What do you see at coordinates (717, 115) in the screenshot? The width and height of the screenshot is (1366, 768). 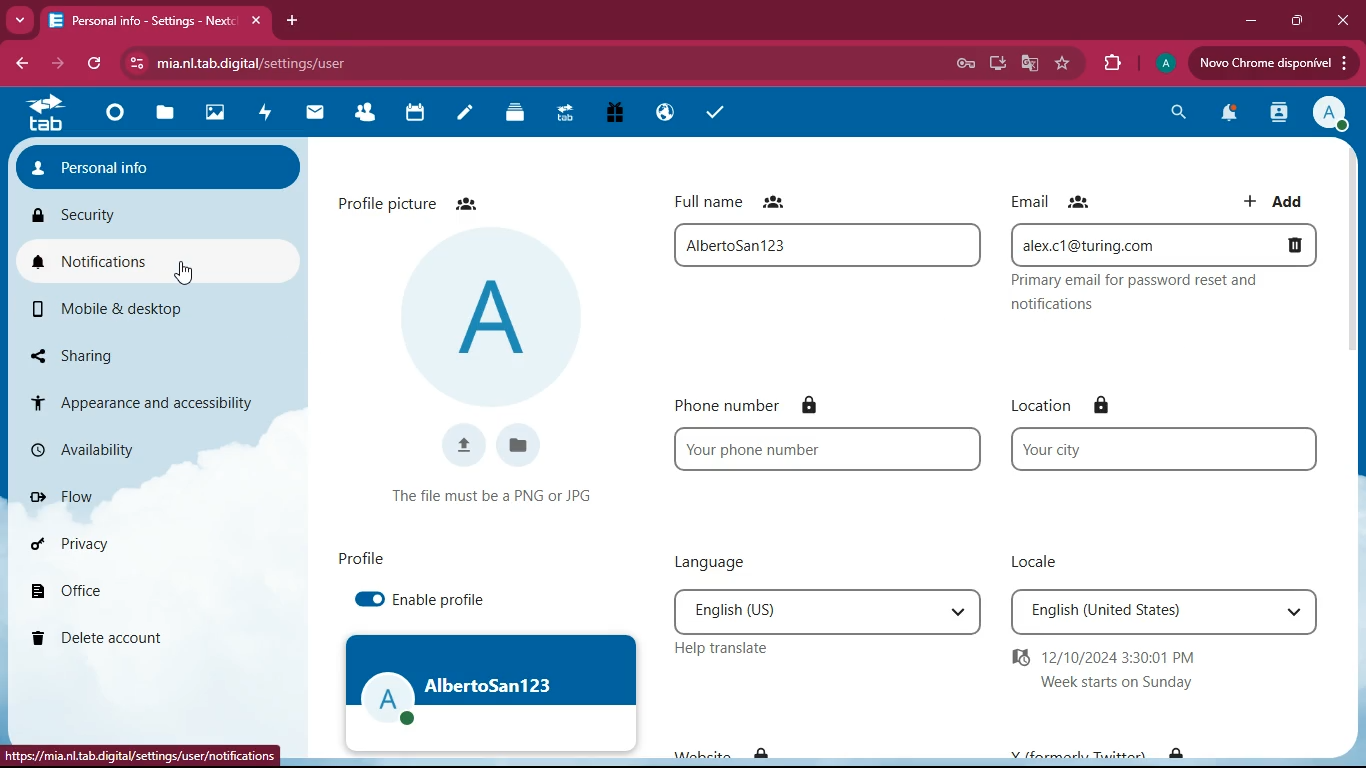 I see `tasks` at bounding box center [717, 115].